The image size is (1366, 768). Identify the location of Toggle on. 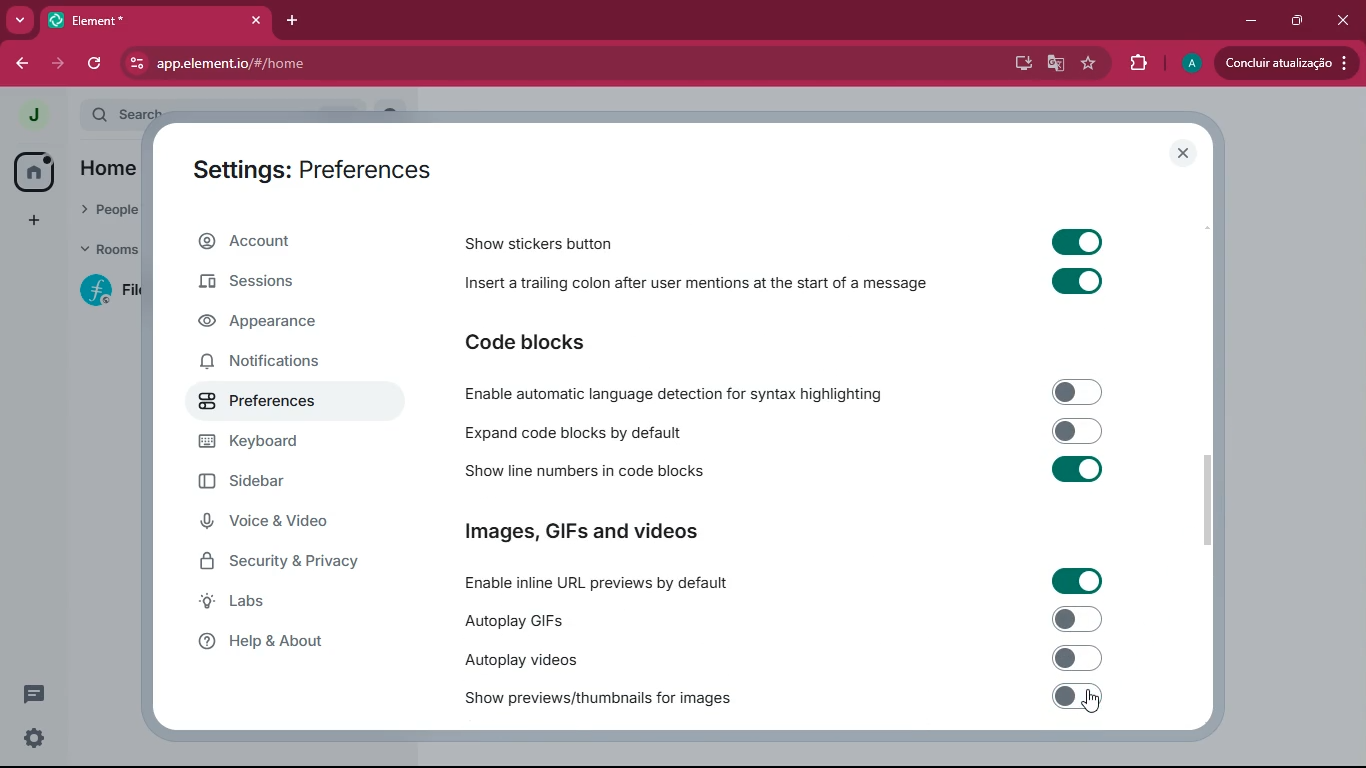
(1079, 240).